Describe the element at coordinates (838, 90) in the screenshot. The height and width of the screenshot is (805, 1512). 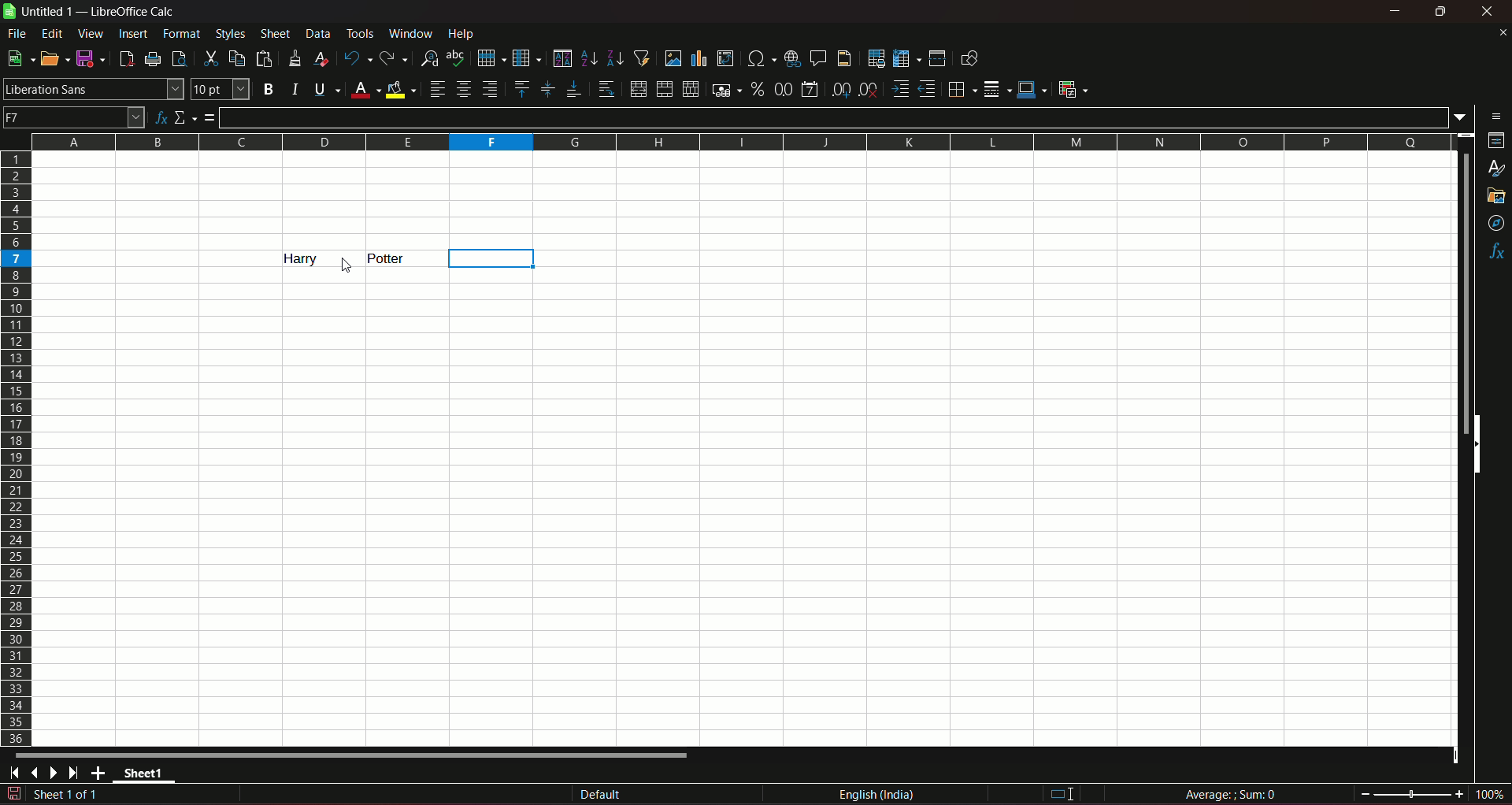
I see `add decimal place` at that location.